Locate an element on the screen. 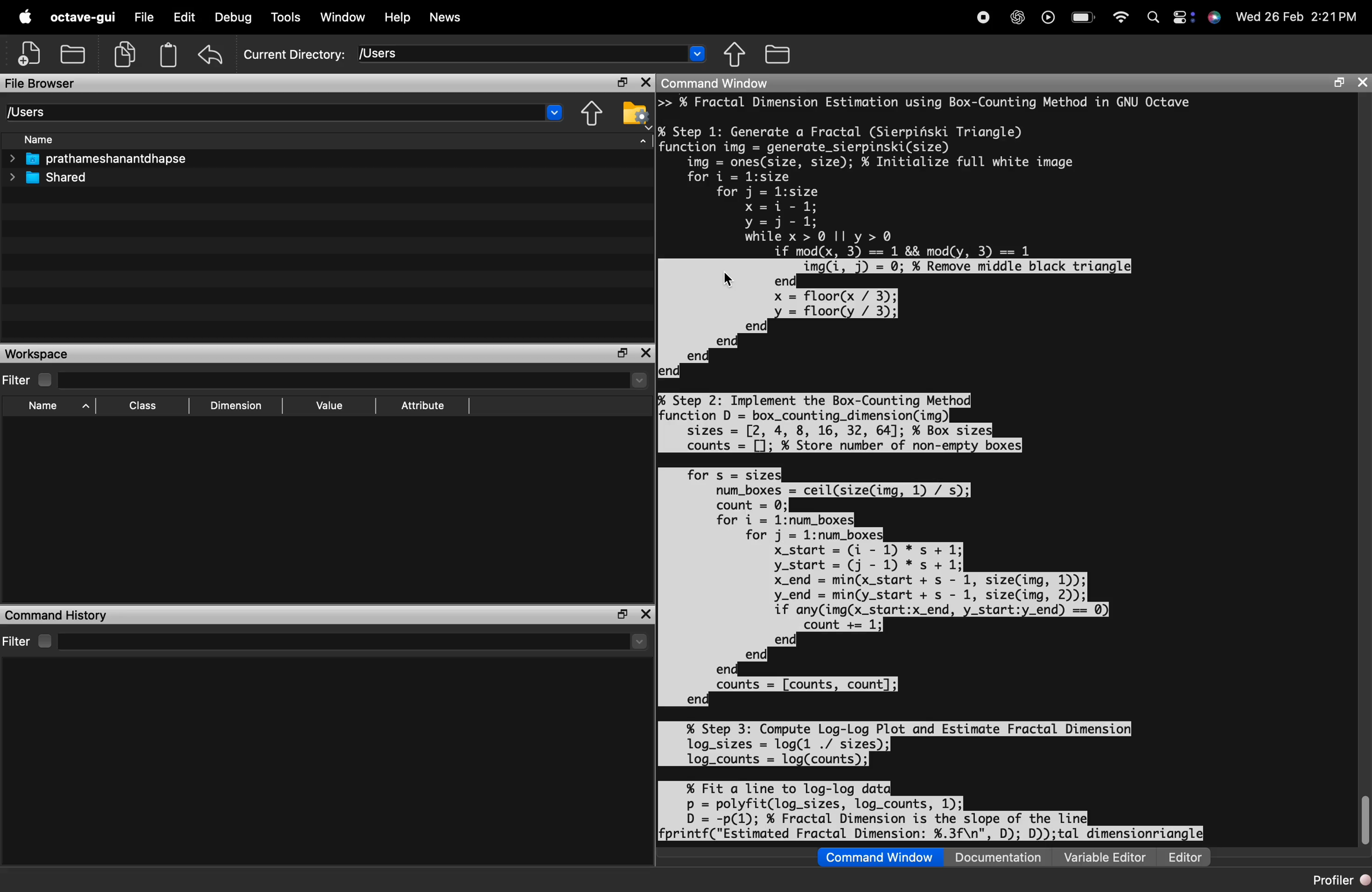 The image size is (1372, 892). maximise is located at coordinates (1336, 80).